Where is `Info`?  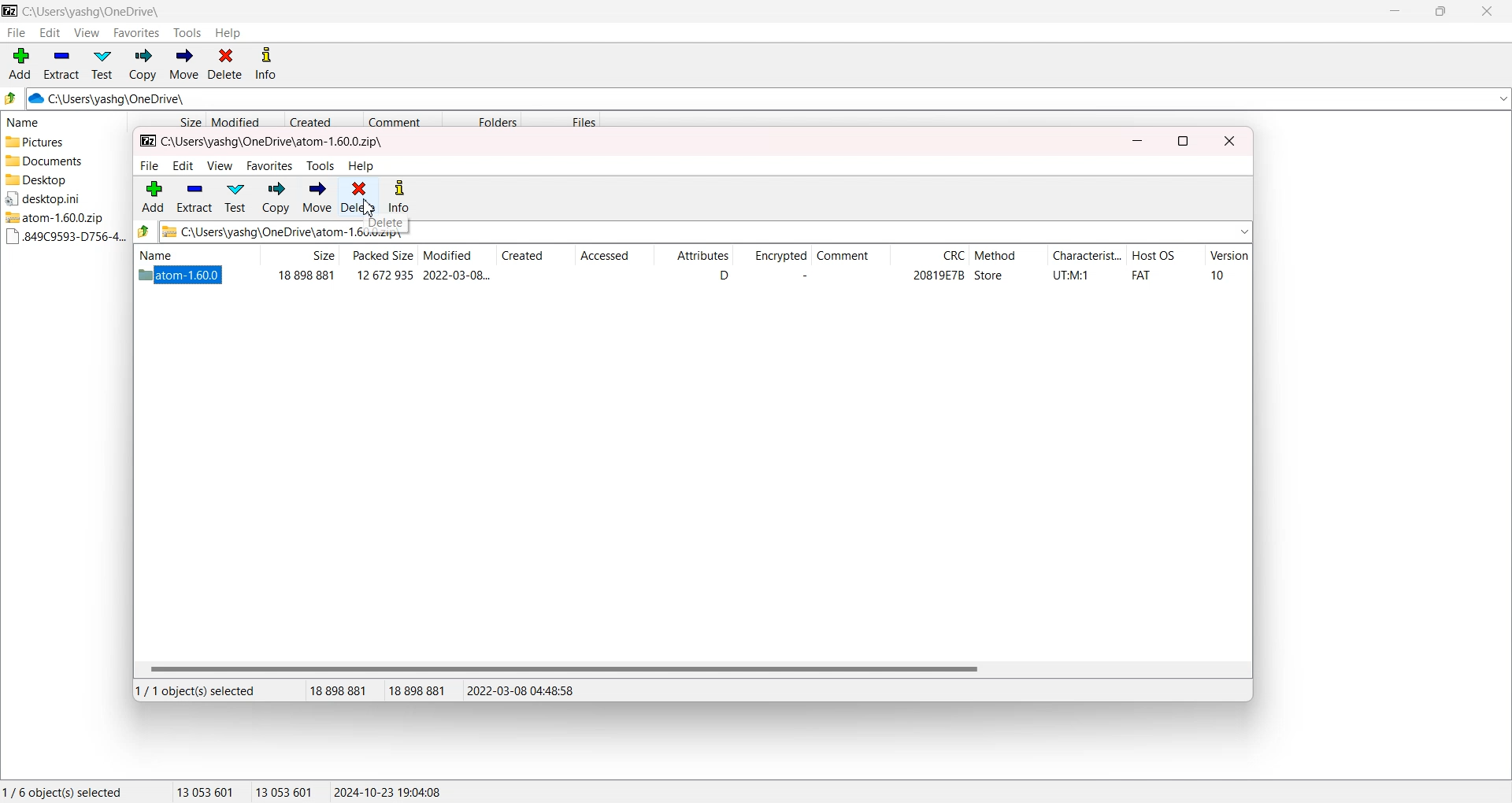
Info is located at coordinates (265, 65).